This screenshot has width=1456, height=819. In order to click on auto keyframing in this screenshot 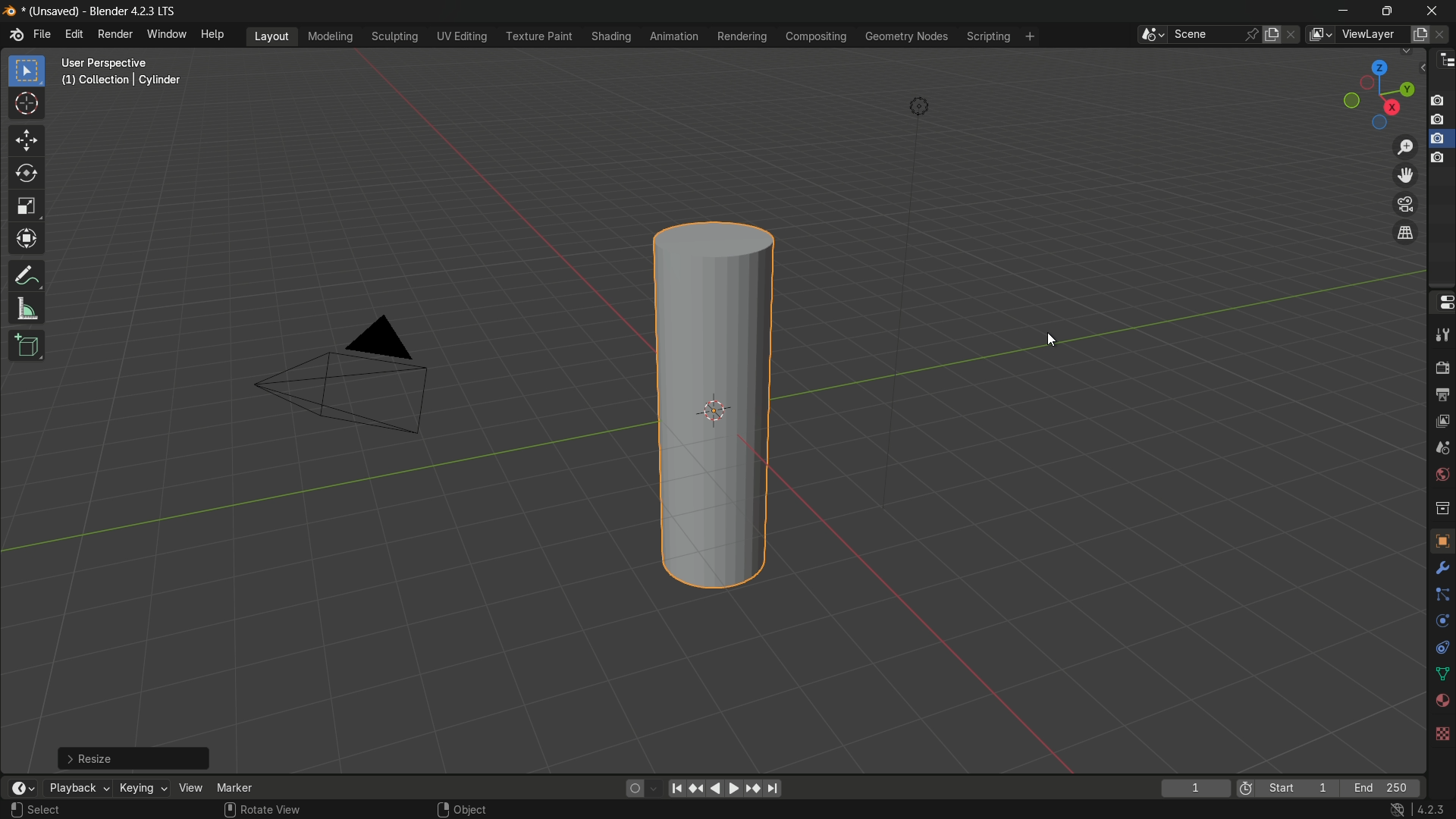, I will do `click(654, 788)`.